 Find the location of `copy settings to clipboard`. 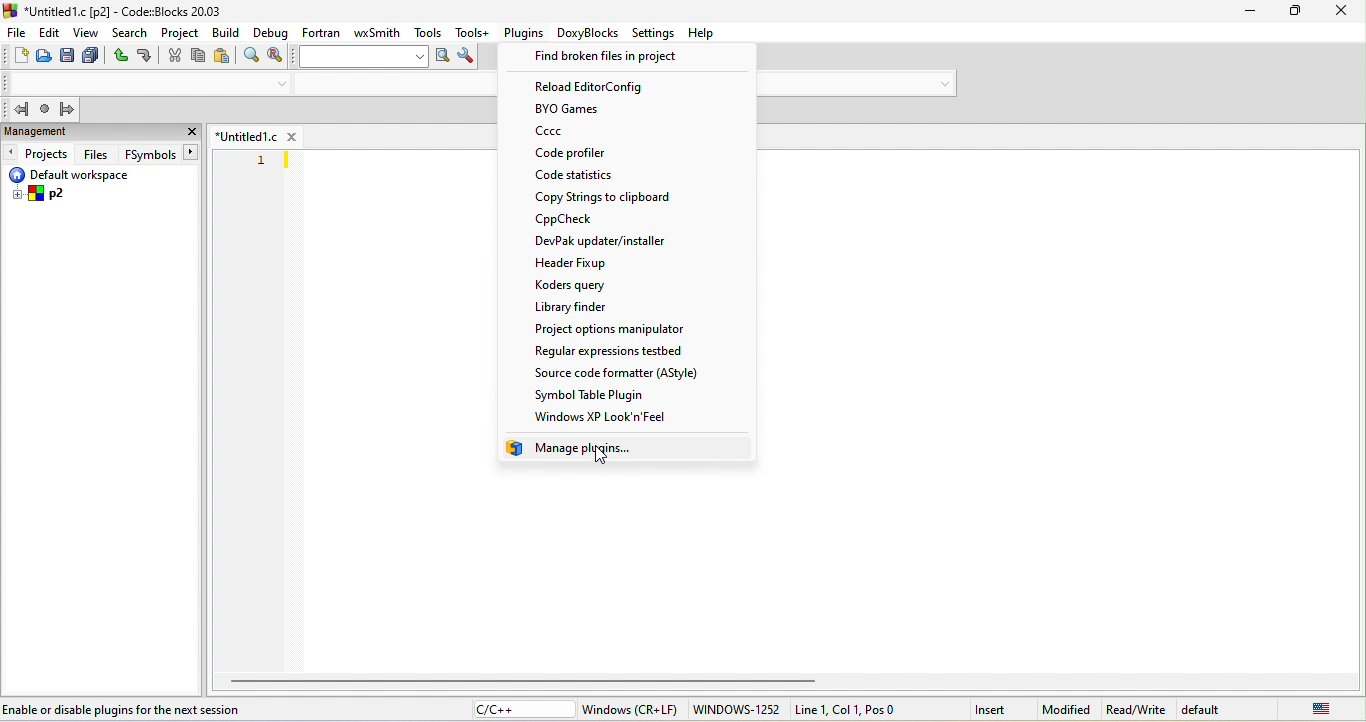

copy settings to clipboard is located at coordinates (605, 198).